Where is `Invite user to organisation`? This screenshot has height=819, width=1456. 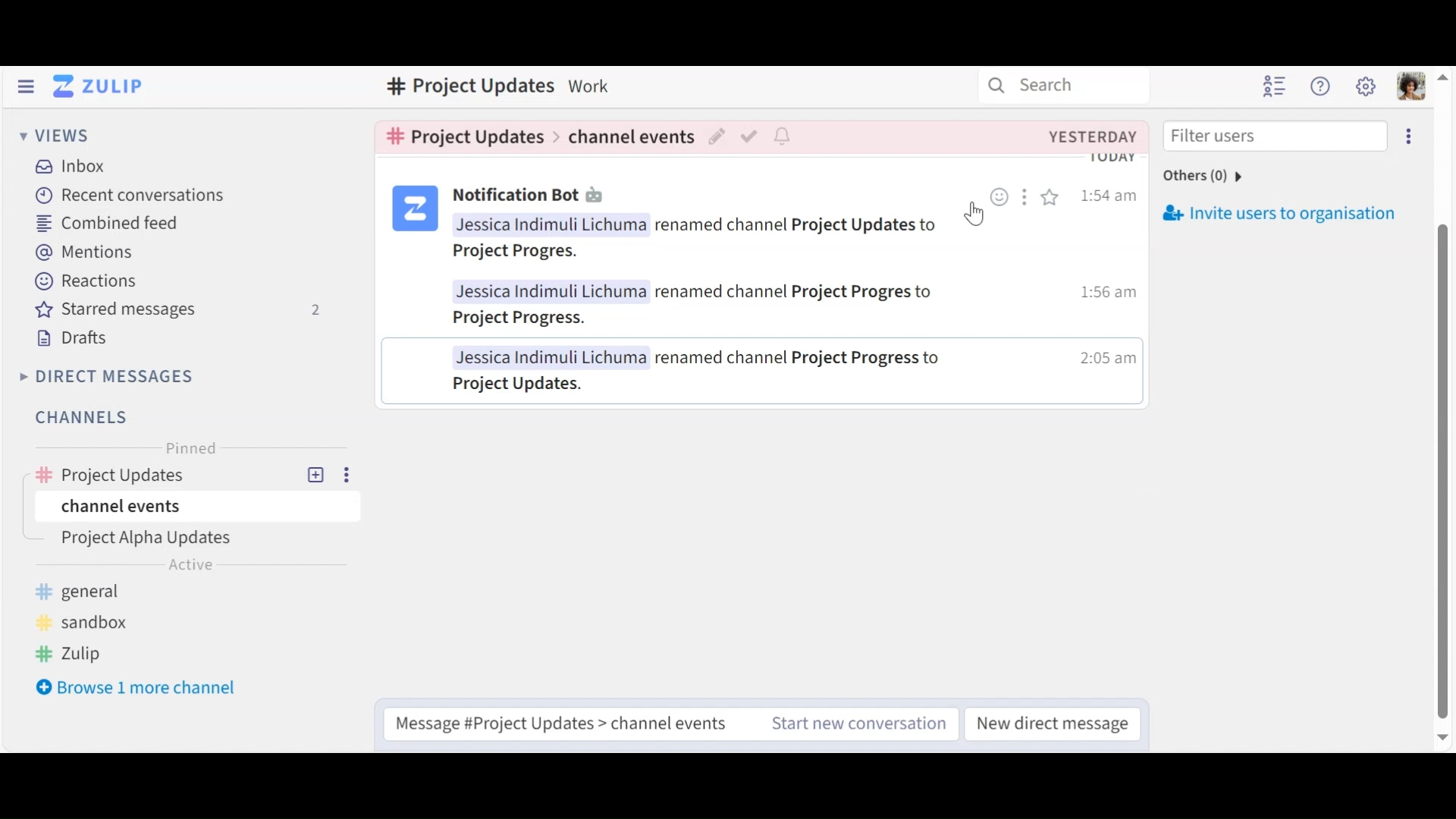
Invite user to organisation is located at coordinates (1407, 138).